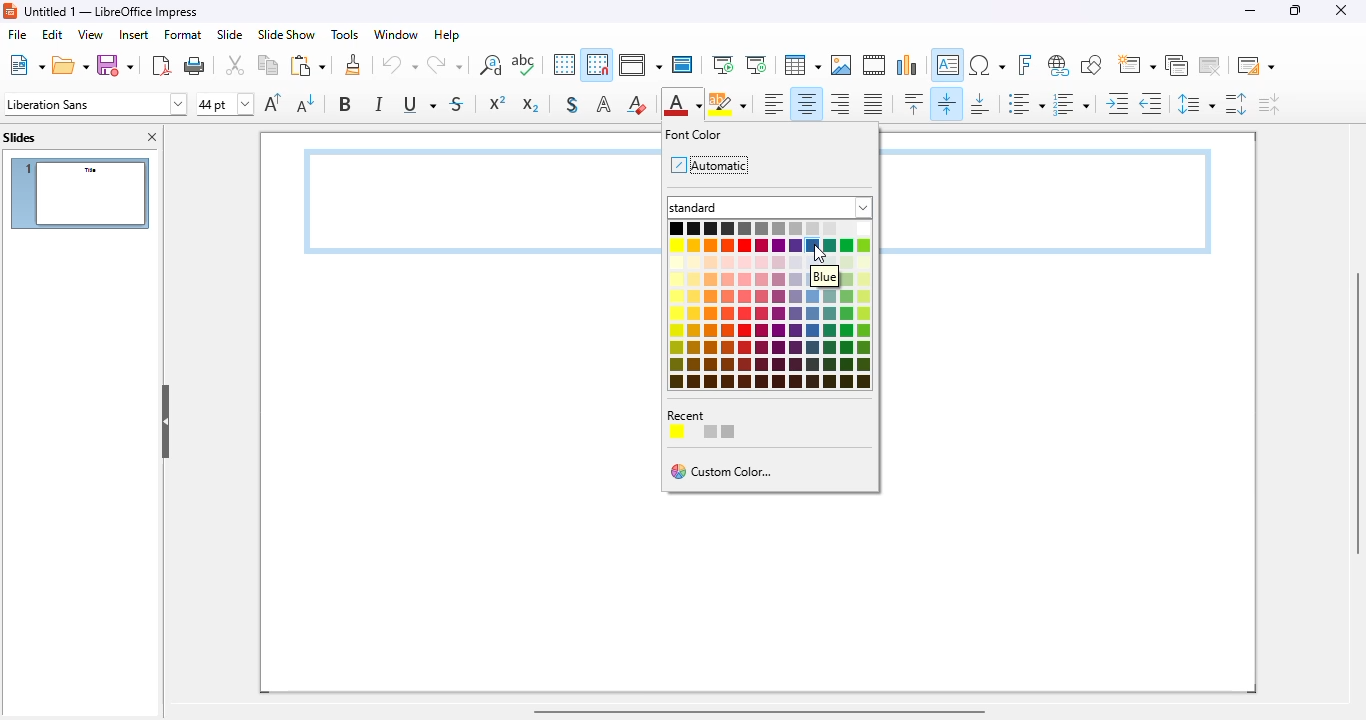 The image size is (1366, 720). Describe the element at coordinates (524, 64) in the screenshot. I see `spelling` at that location.